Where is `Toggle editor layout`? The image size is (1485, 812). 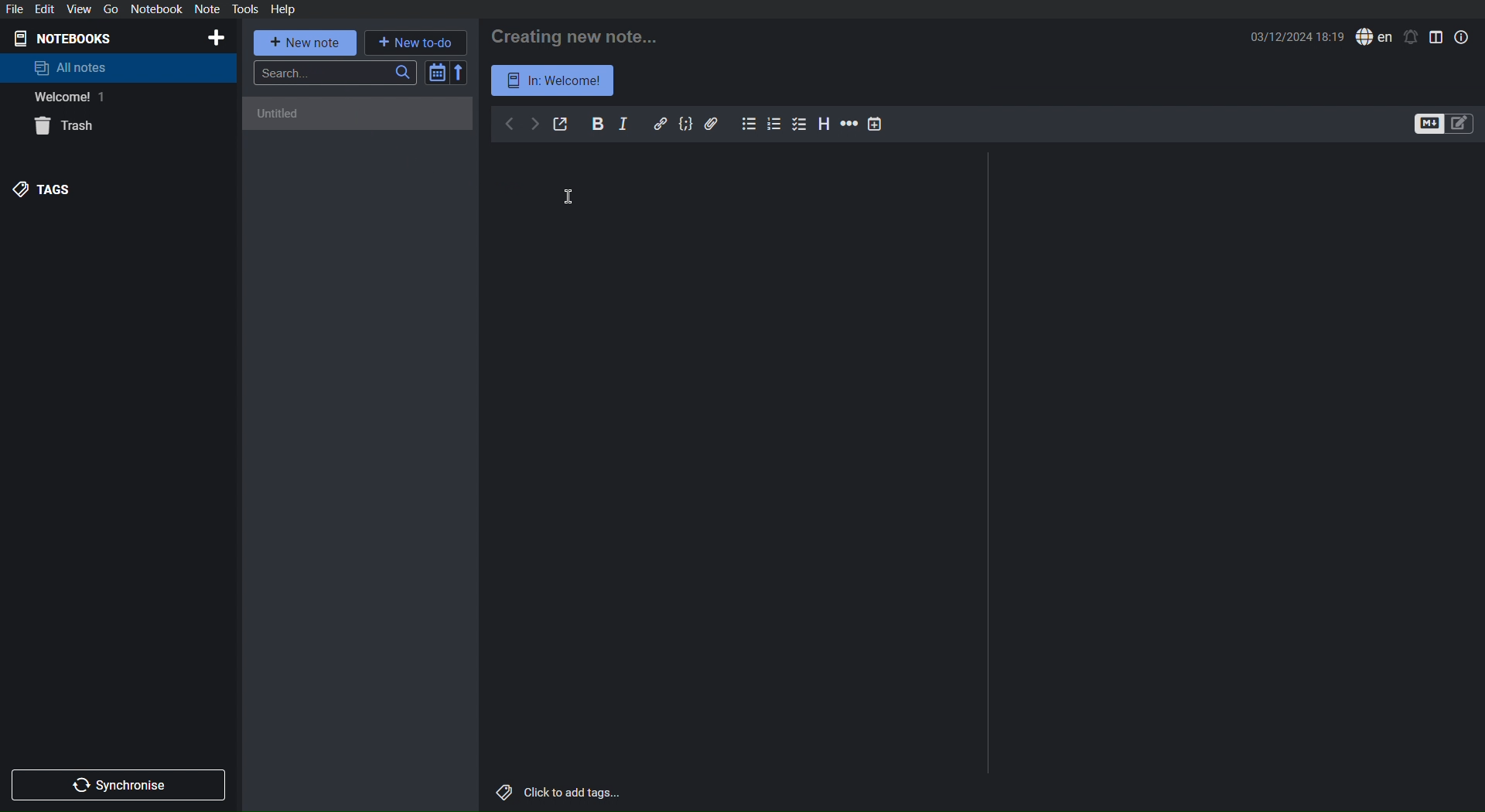 Toggle editor layout is located at coordinates (1437, 36).